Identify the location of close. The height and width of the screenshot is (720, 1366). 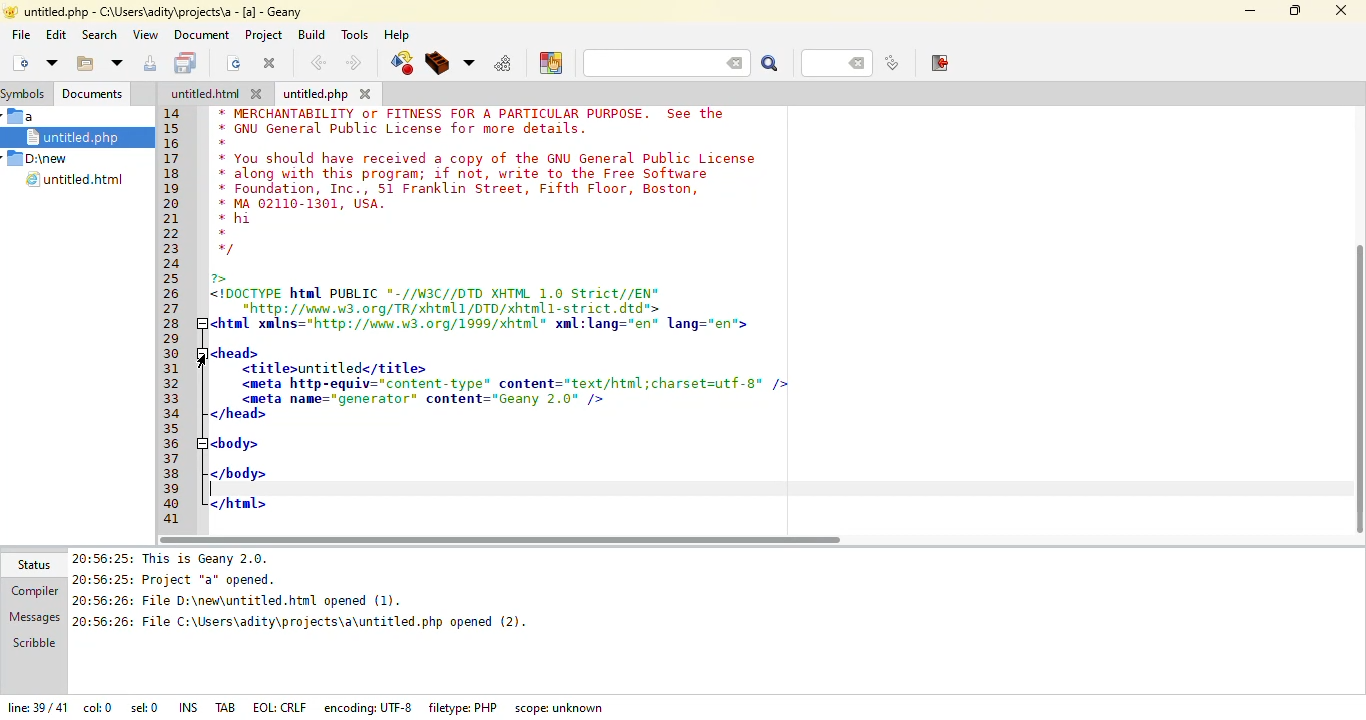
(271, 62).